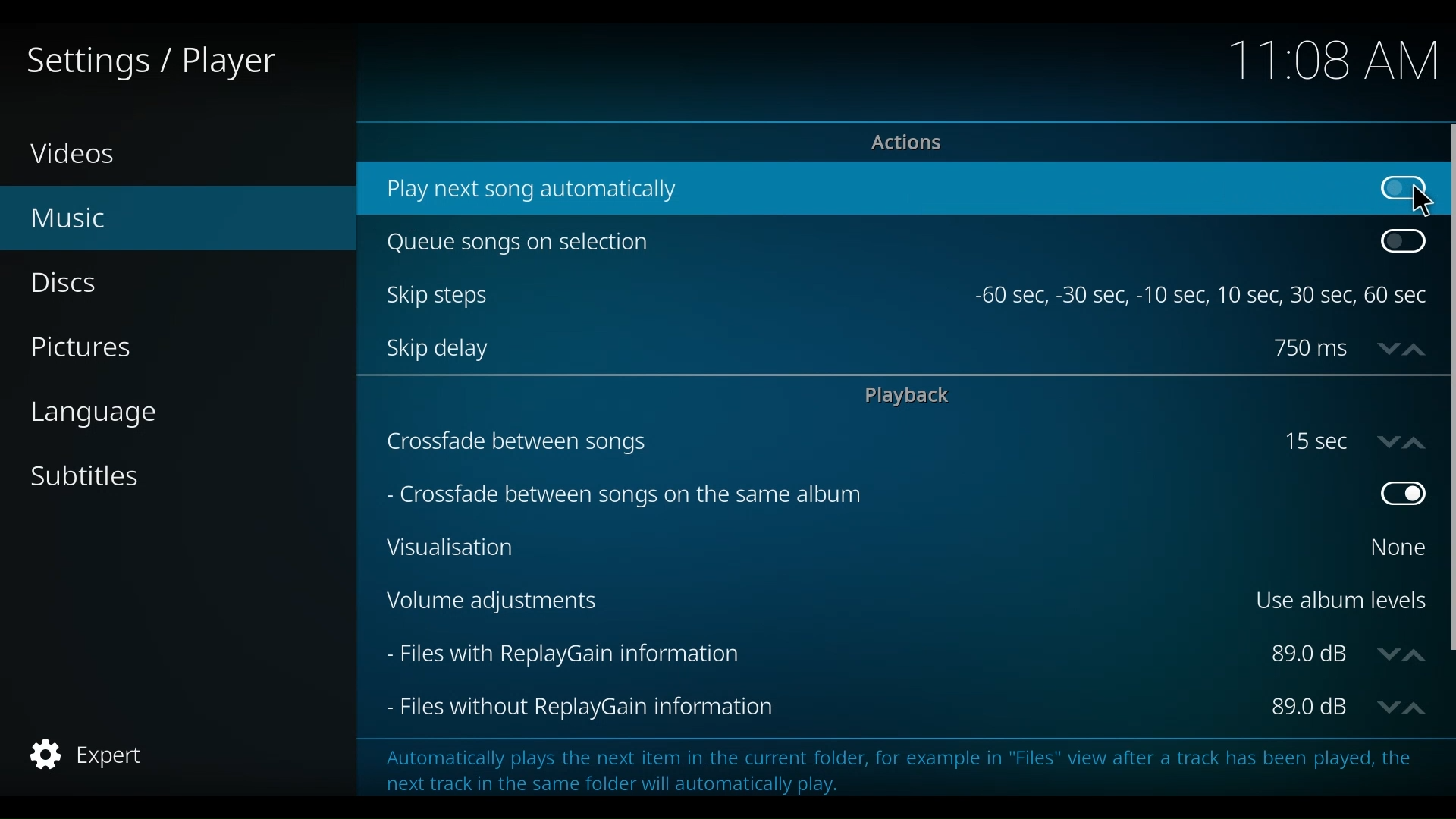 This screenshot has width=1456, height=819. Describe the element at coordinates (826, 441) in the screenshot. I see `Crossfade between songs` at that location.